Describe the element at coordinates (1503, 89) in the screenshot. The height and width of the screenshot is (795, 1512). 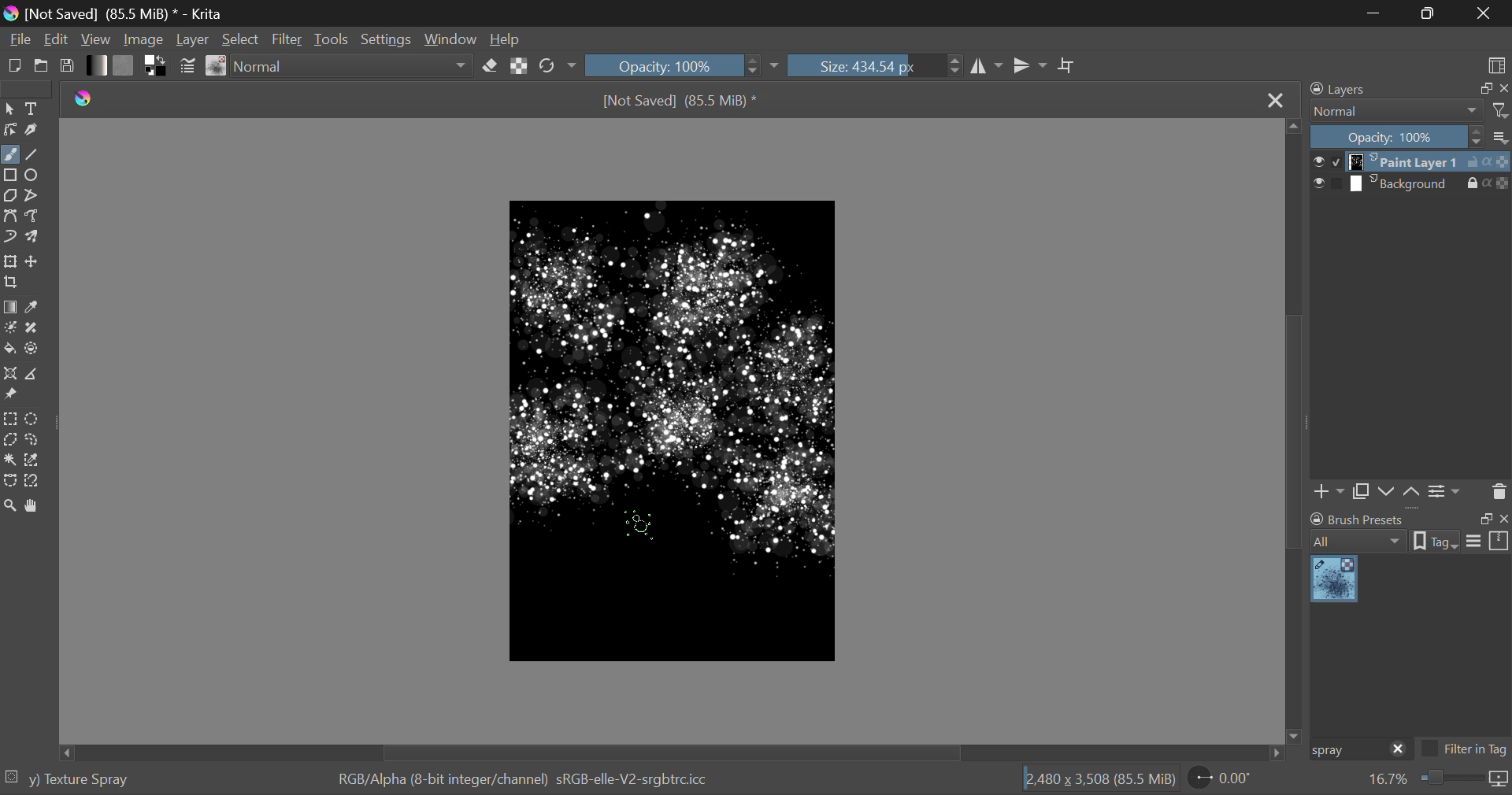
I see `close` at that location.